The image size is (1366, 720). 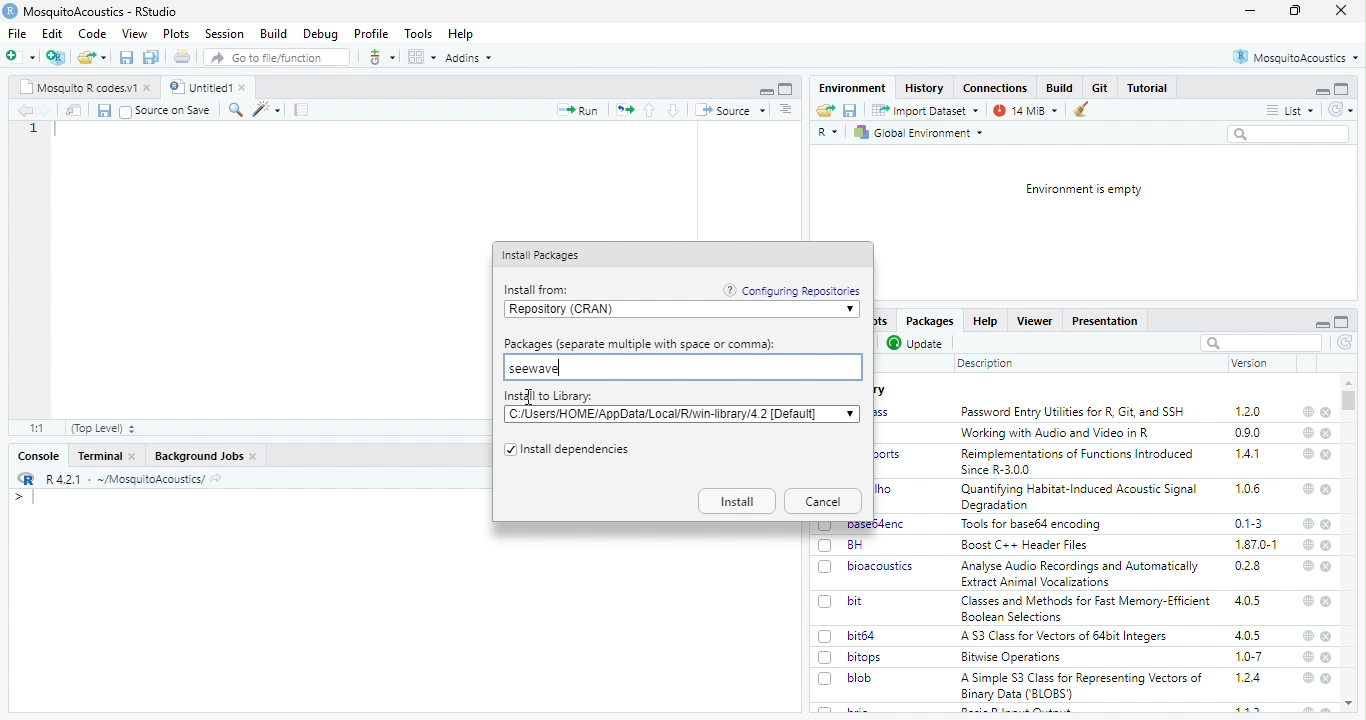 What do you see at coordinates (1249, 601) in the screenshot?
I see `405` at bounding box center [1249, 601].